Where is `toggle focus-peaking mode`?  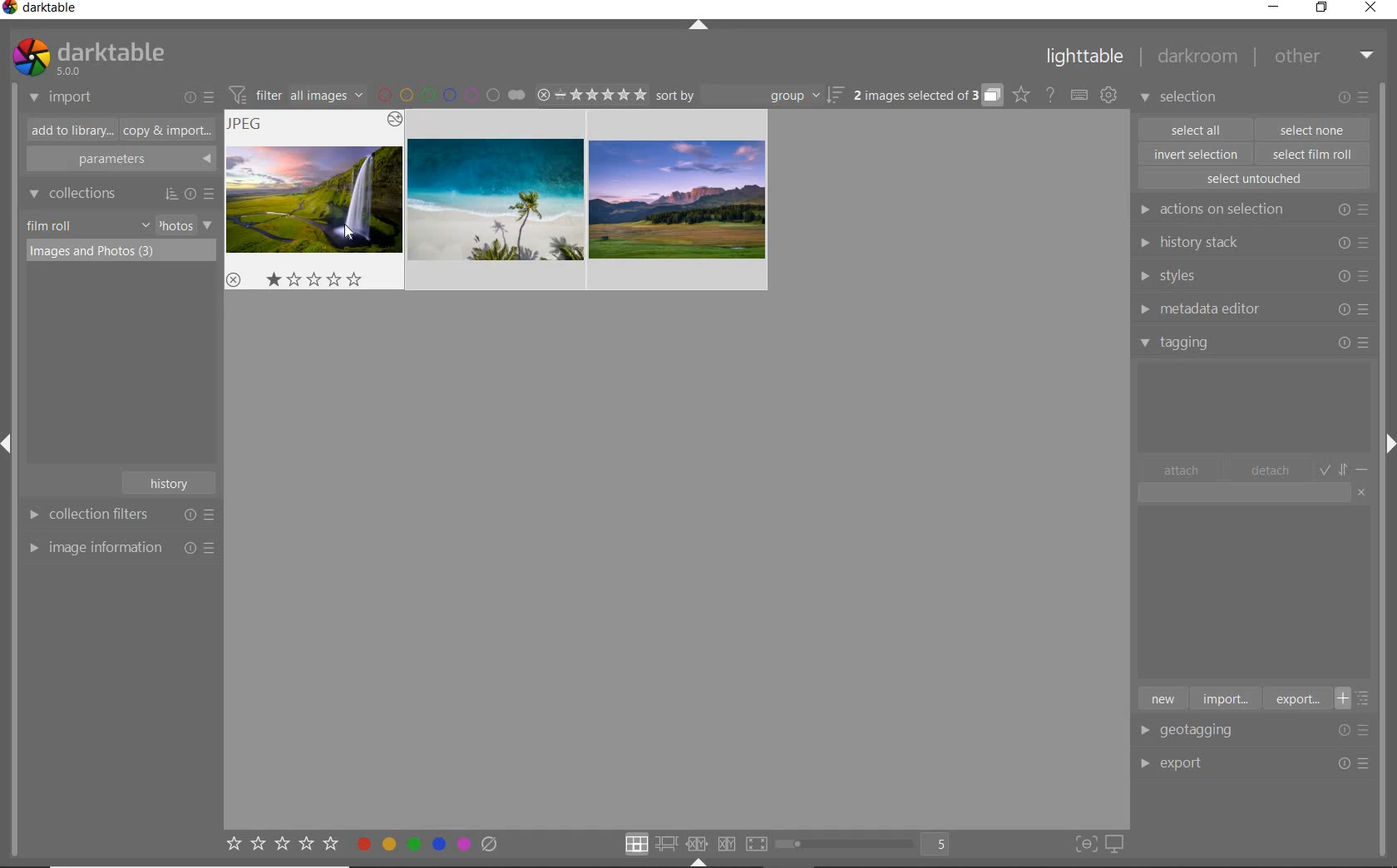
toggle focus-peaking mode is located at coordinates (1084, 842).